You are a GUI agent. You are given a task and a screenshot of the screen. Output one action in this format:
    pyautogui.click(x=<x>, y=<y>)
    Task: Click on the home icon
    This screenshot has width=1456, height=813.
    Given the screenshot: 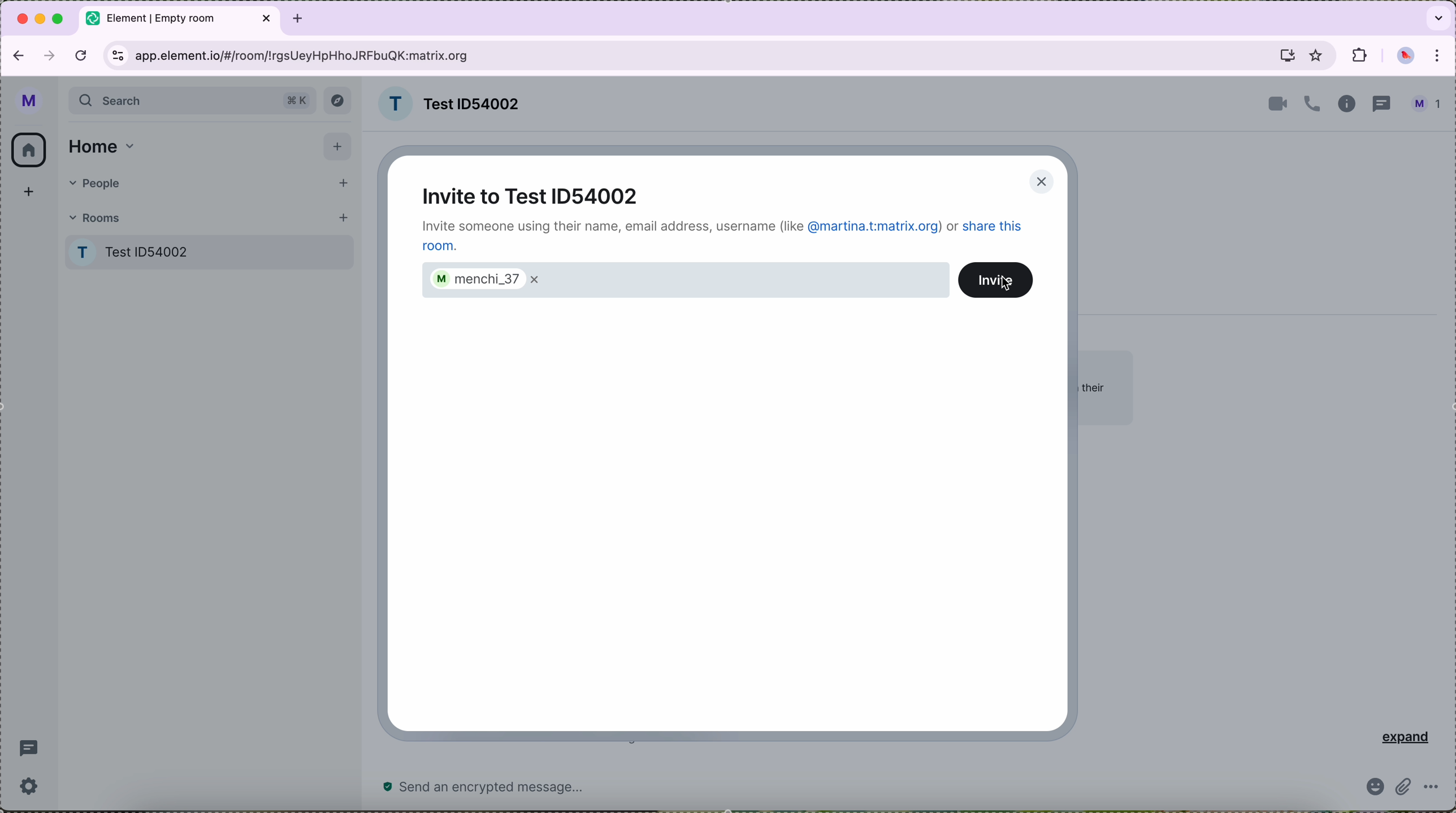 What is the action you would take?
    pyautogui.click(x=31, y=148)
    